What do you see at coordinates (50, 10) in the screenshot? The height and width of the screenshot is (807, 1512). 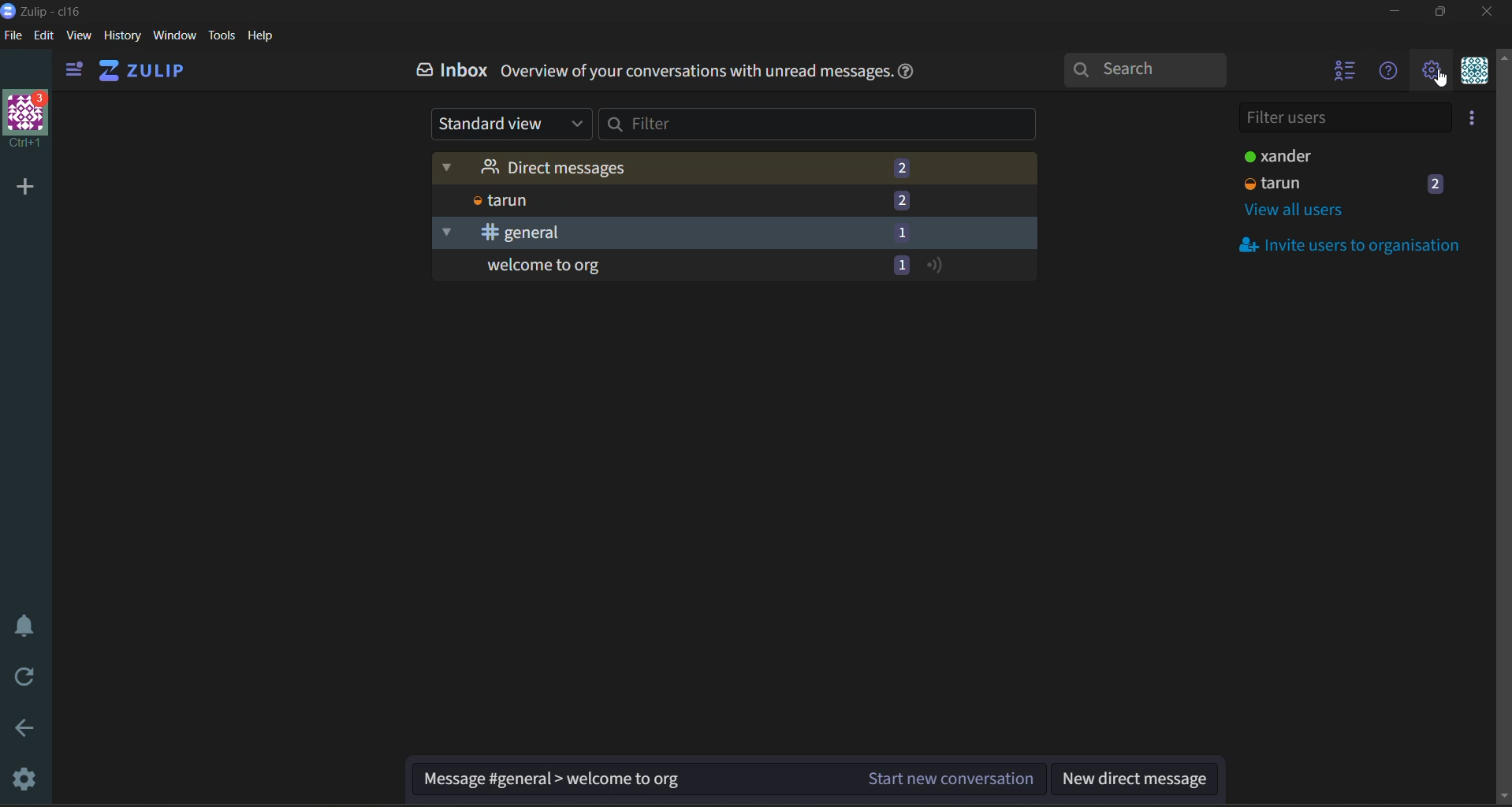 I see `organisation name and app name` at bounding box center [50, 10].